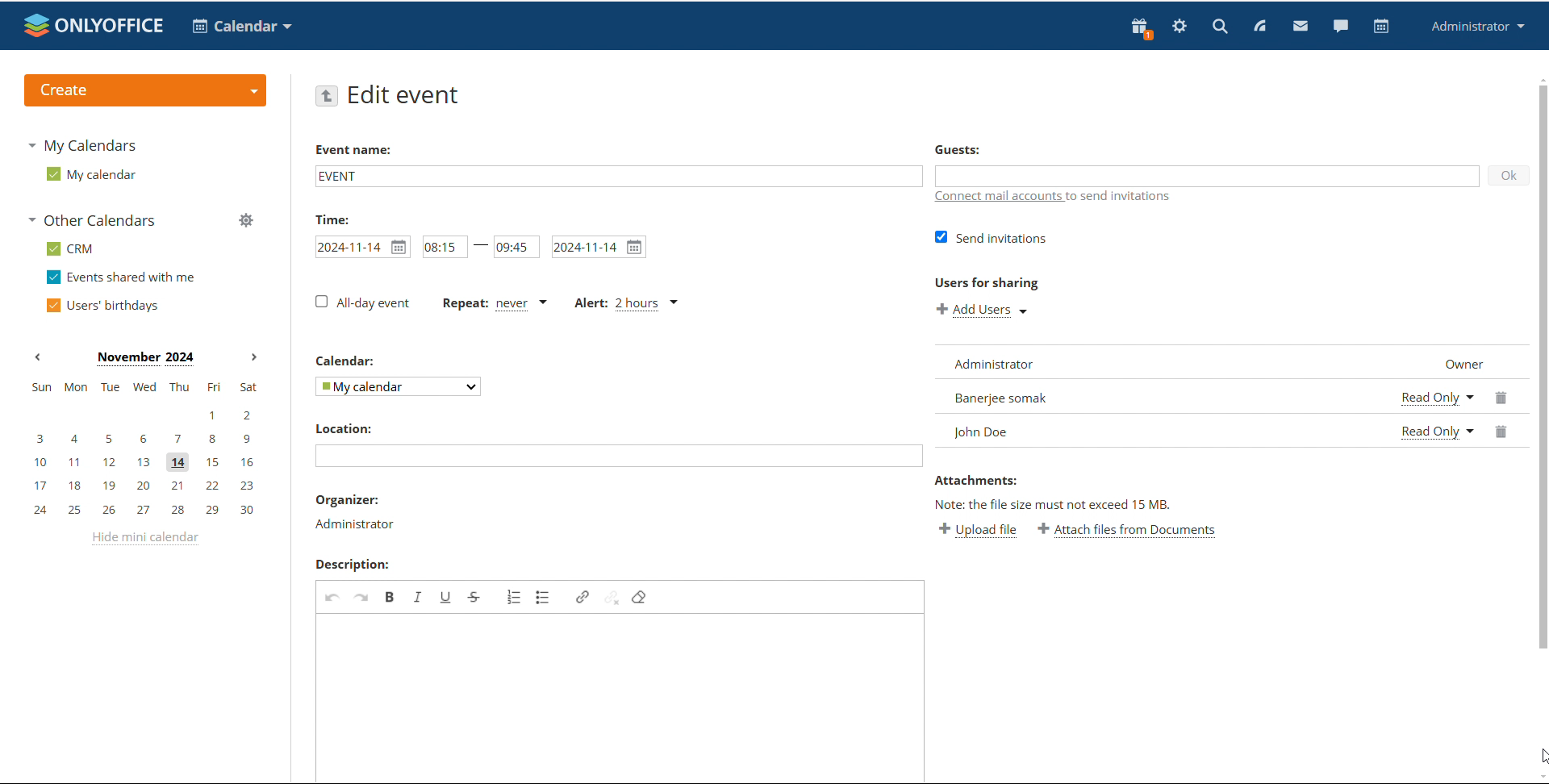 The image size is (1549, 784). Describe the element at coordinates (1180, 27) in the screenshot. I see `settings` at that location.